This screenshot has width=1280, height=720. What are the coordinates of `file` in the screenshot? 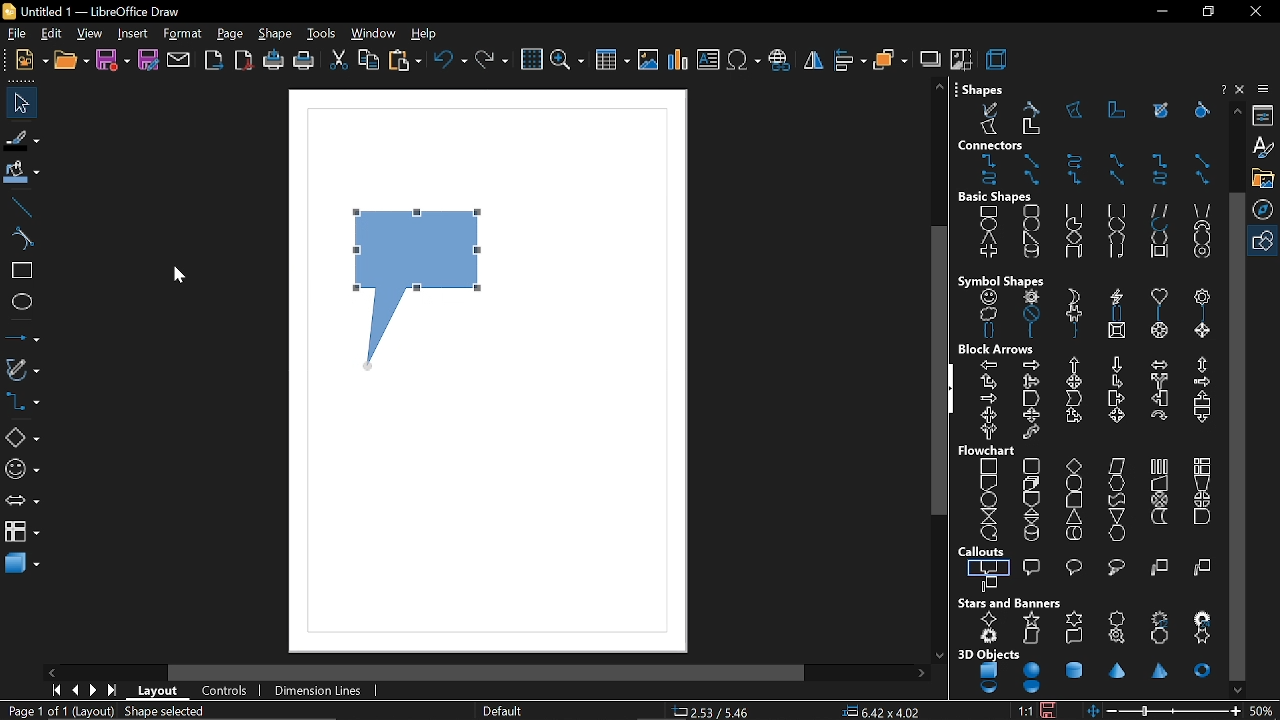 It's located at (16, 33).